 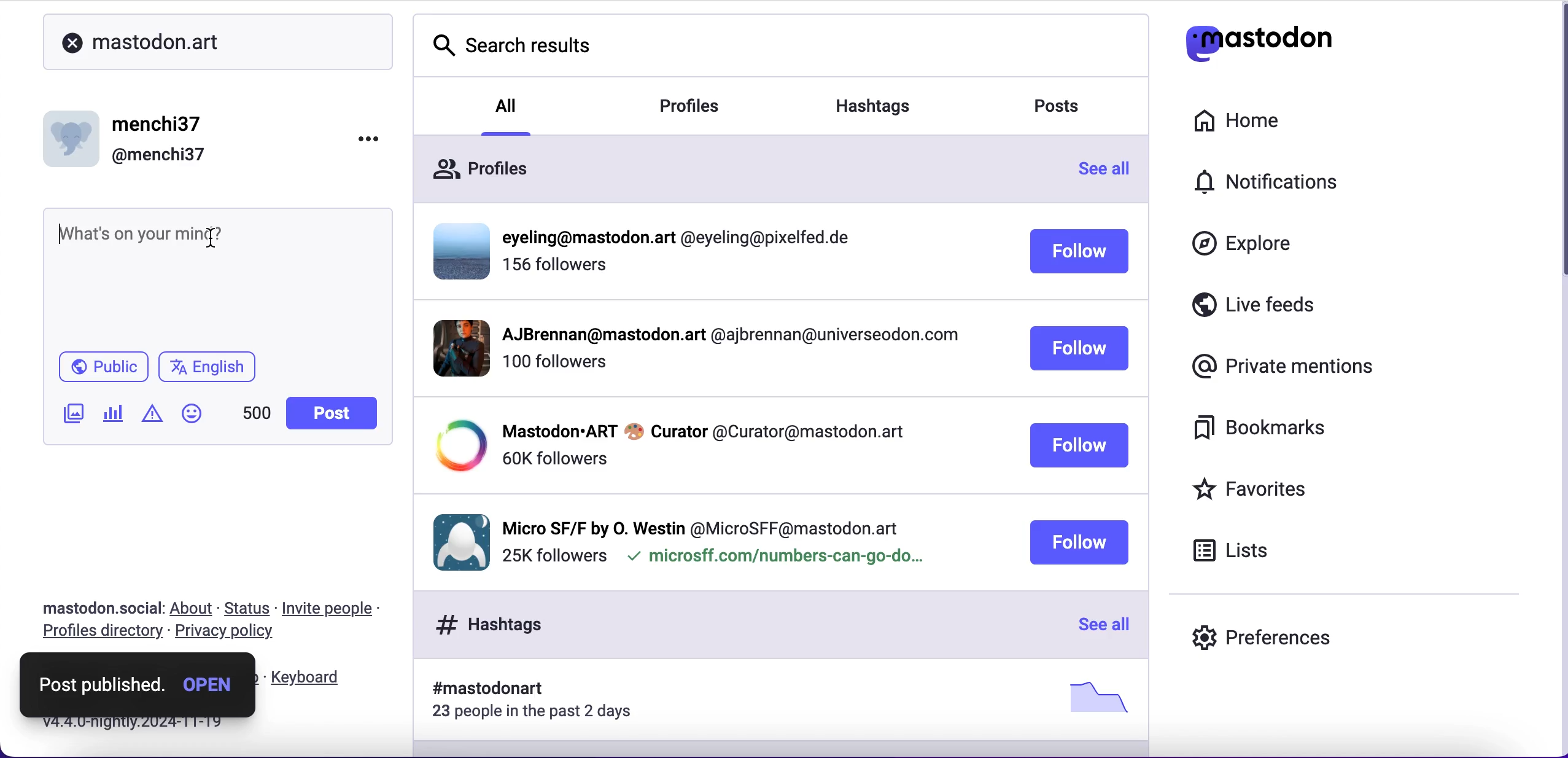 I want to click on hashtag, so click(x=480, y=689).